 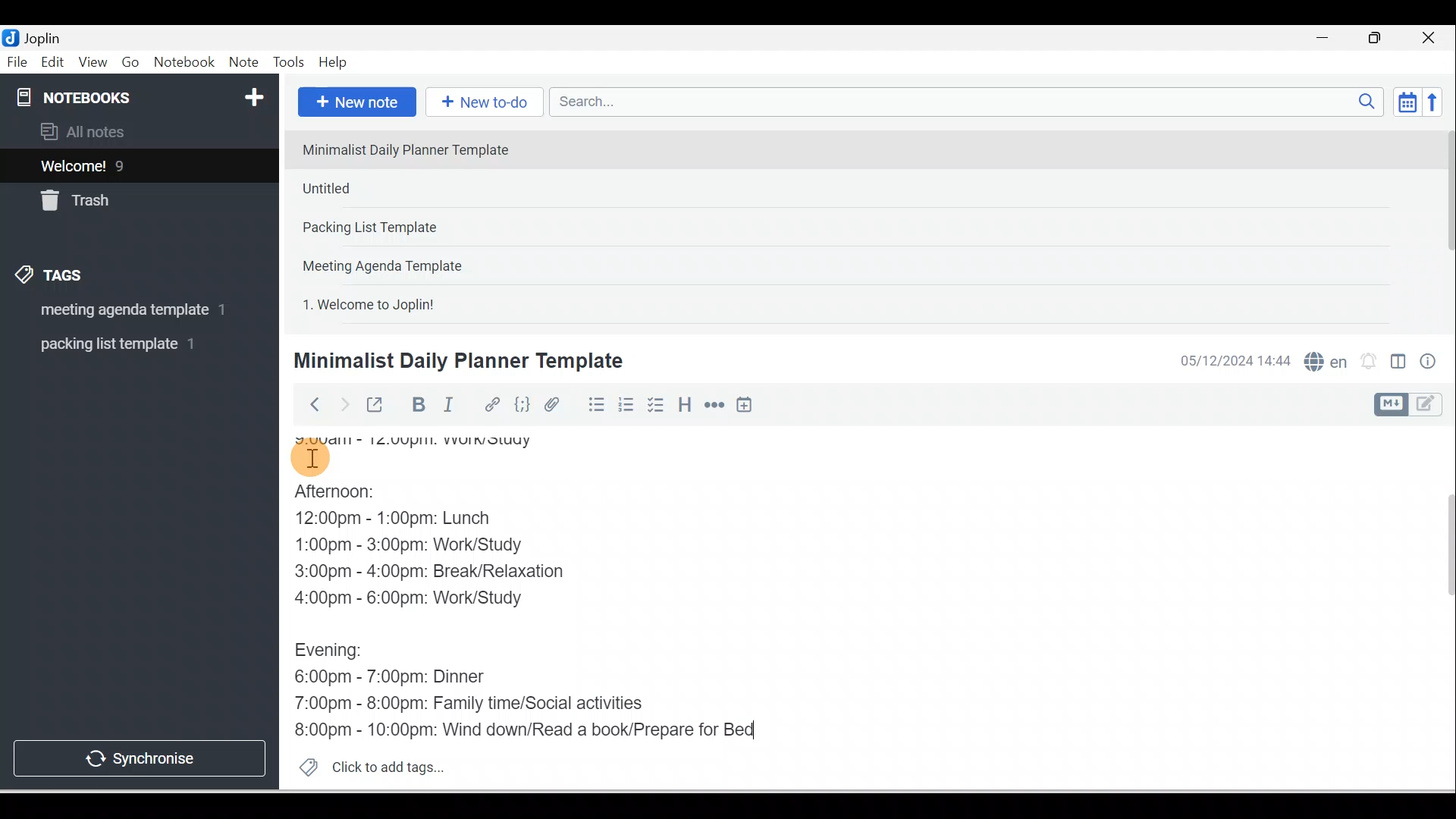 I want to click on 6:00pm - 7:00pm: Dinner, so click(x=401, y=676).